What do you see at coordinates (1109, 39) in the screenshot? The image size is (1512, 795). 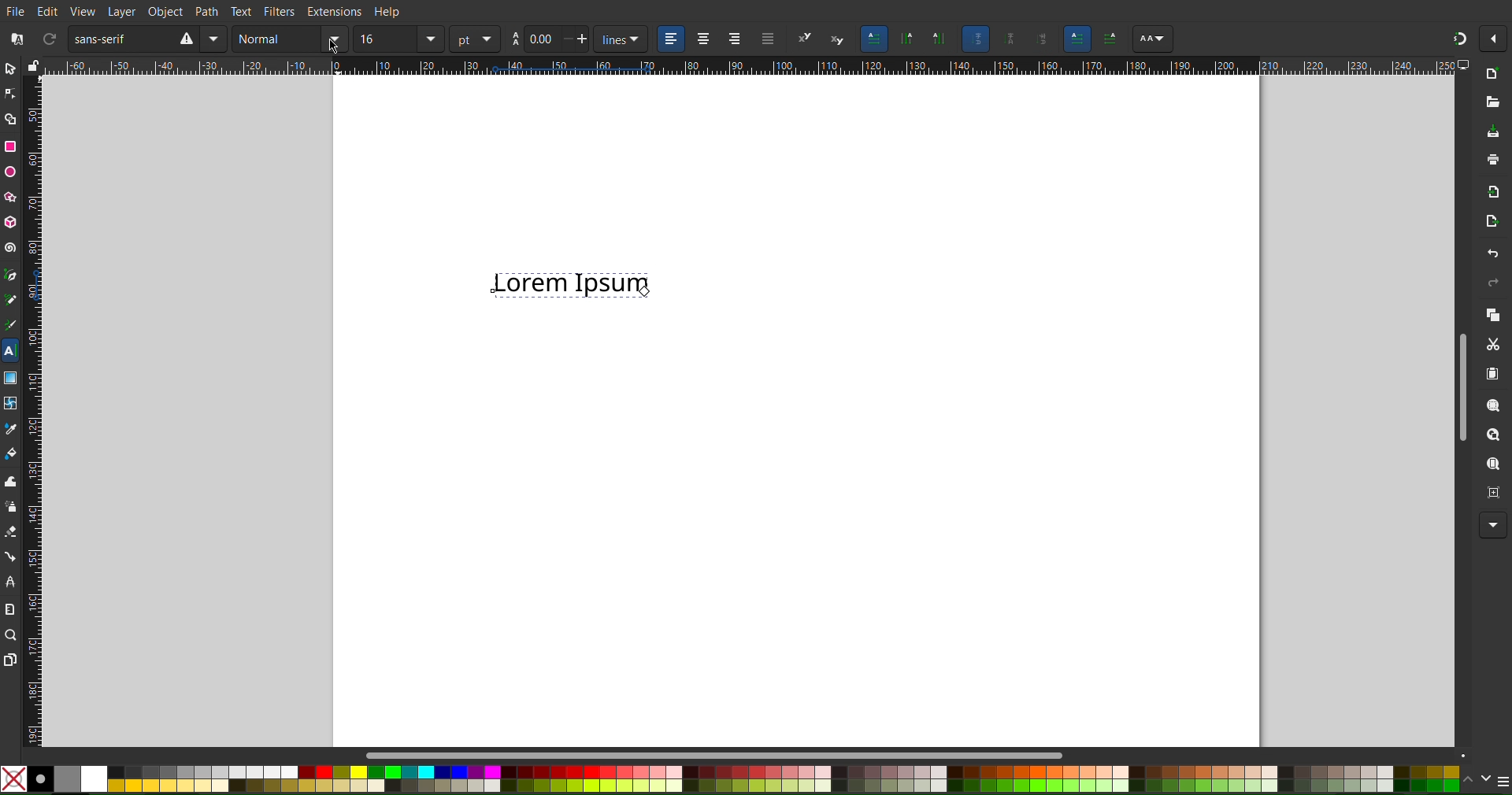 I see `AA` at bounding box center [1109, 39].